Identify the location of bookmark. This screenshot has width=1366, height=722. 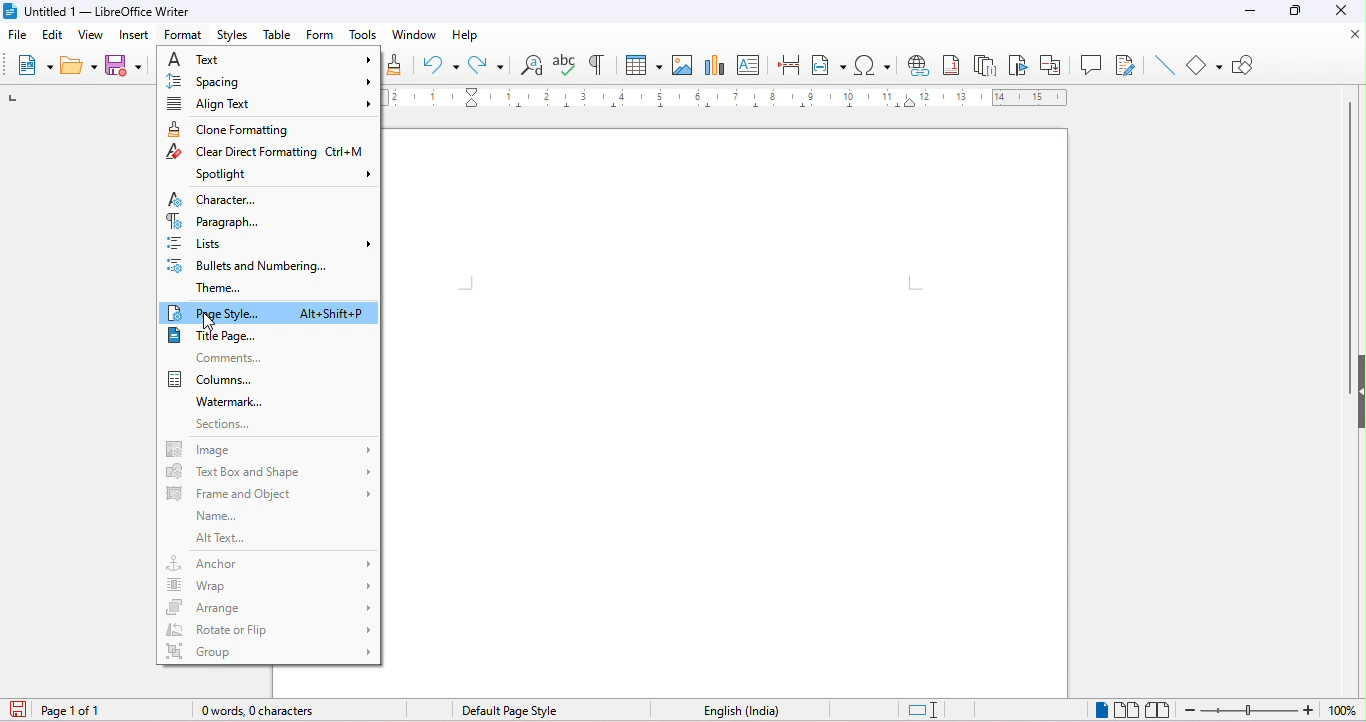
(1019, 67).